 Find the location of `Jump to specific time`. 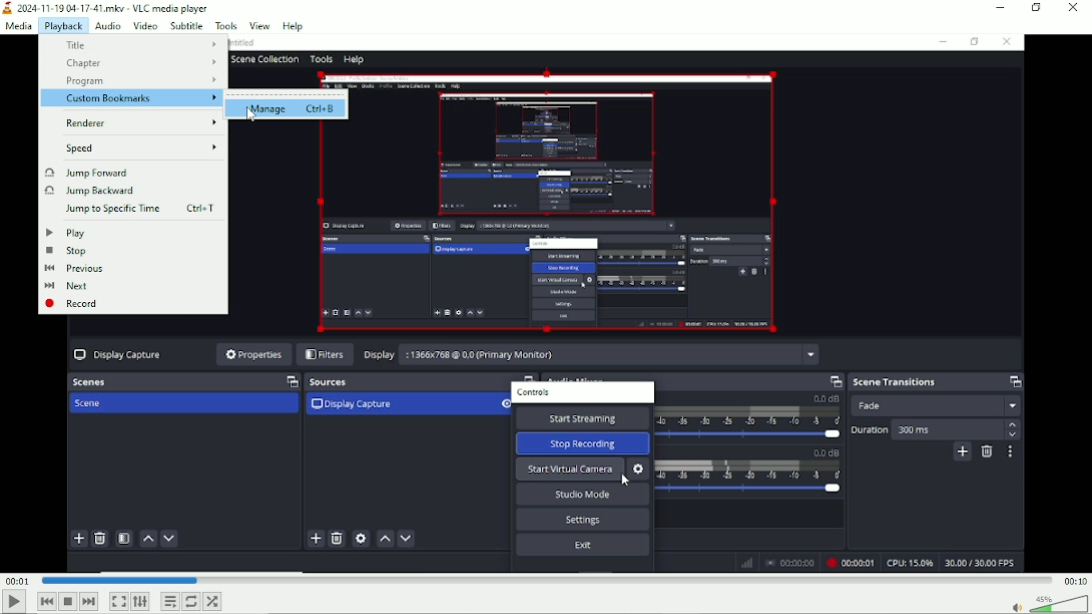

Jump to specific time is located at coordinates (145, 210).